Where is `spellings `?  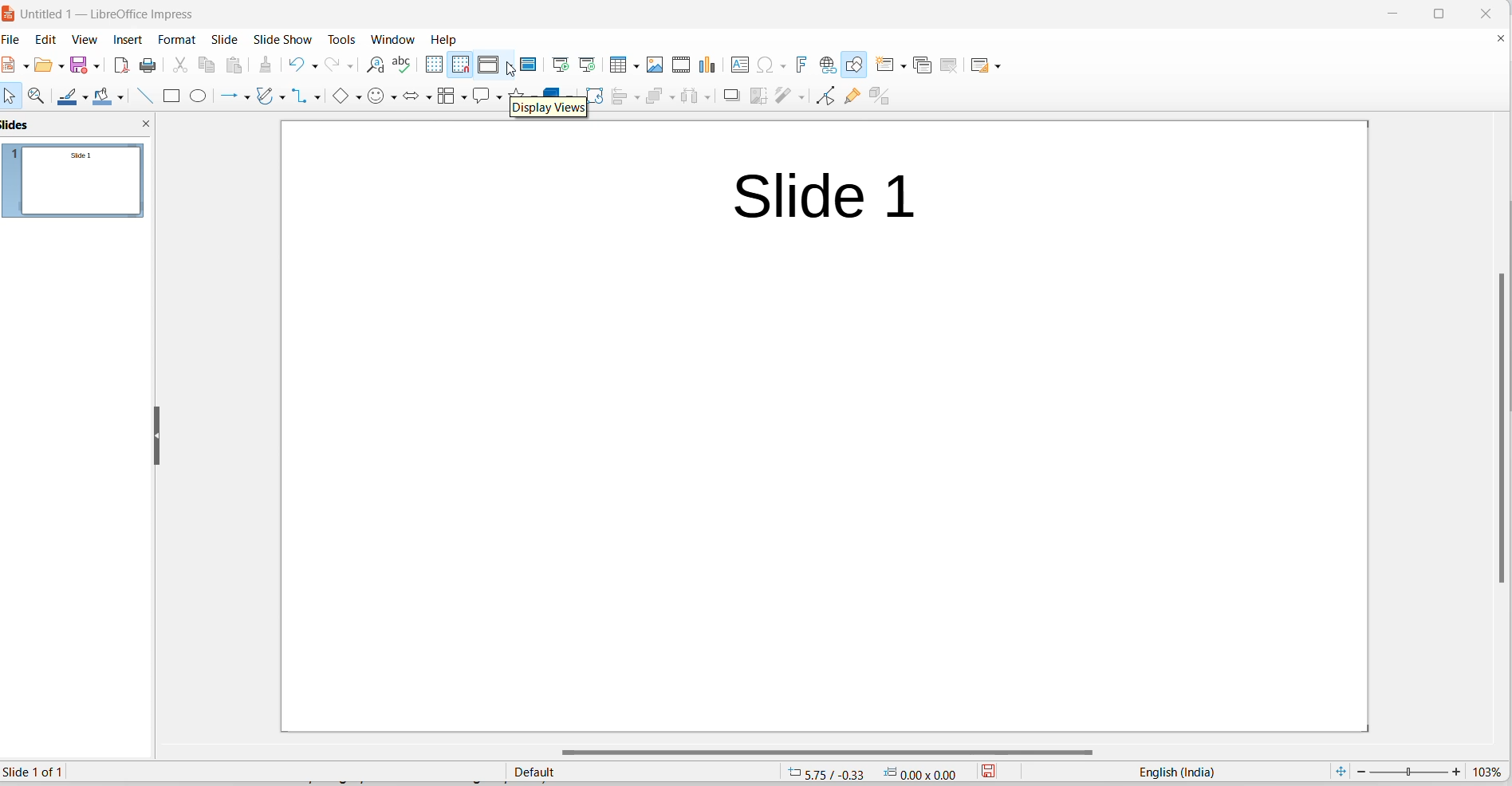
spellings  is located at coordinates (406, 65).